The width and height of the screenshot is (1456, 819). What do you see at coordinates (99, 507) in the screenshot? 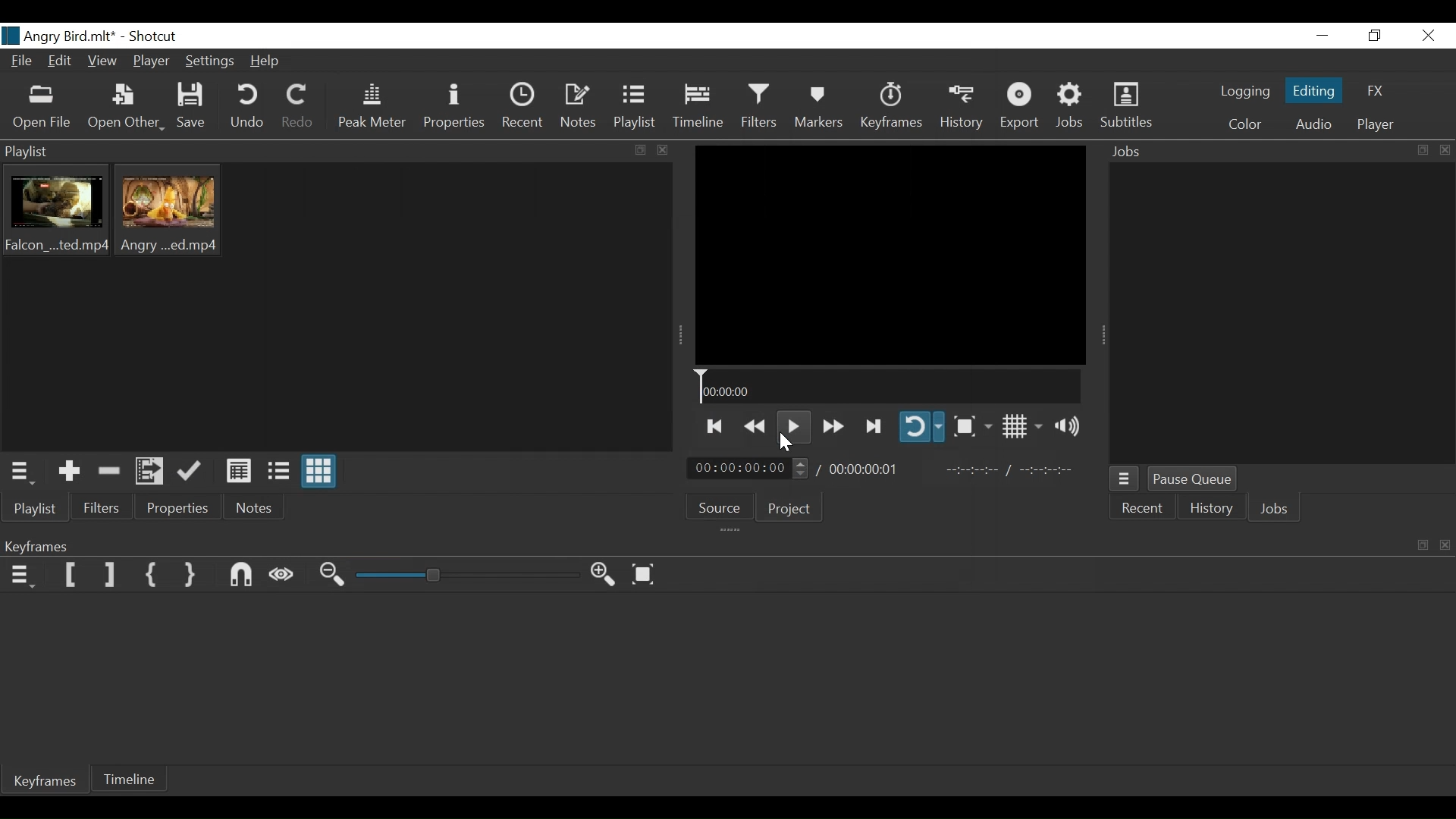
I see `Filter` at bounding box center [99, 507].